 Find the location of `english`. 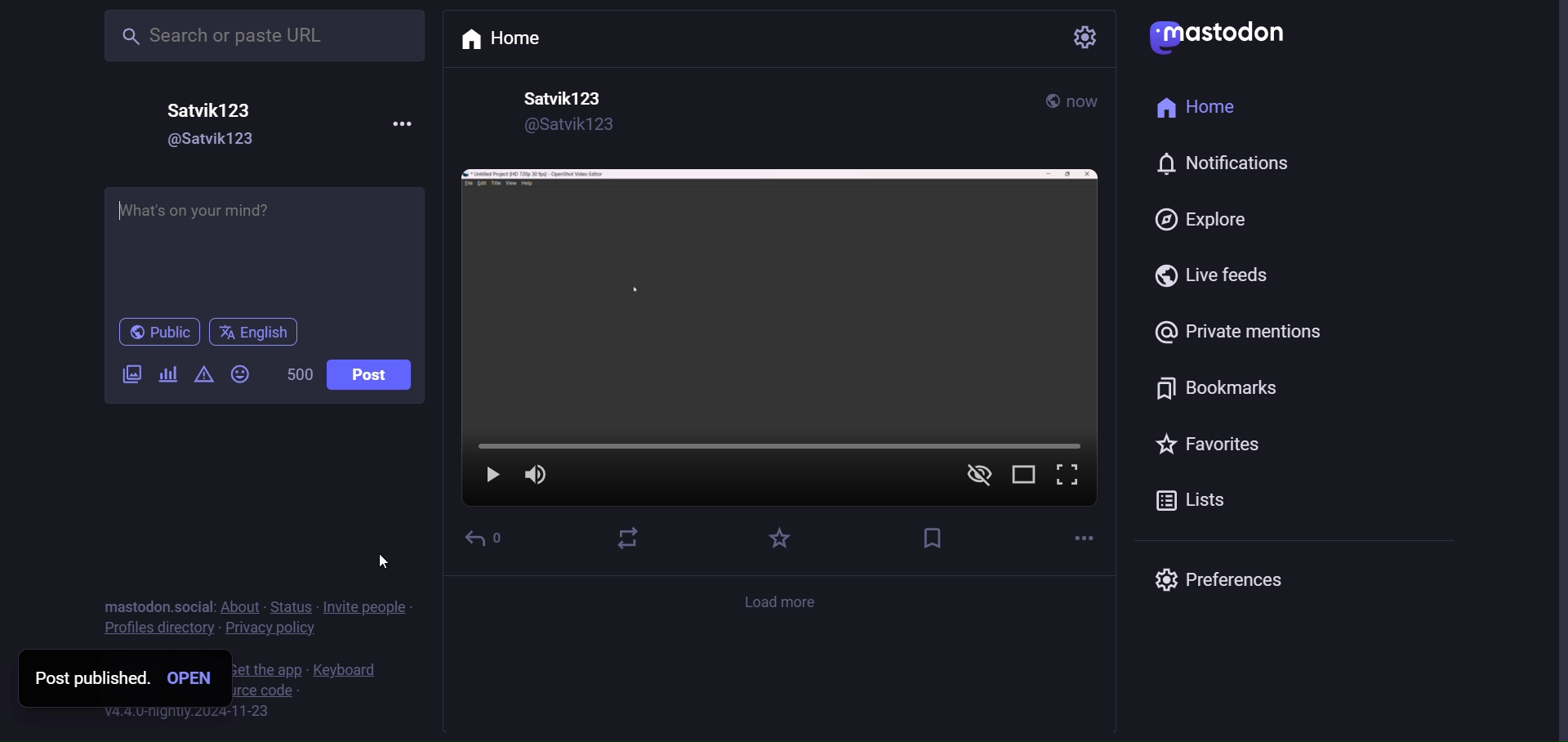

english is located at coordinates (261, 329).